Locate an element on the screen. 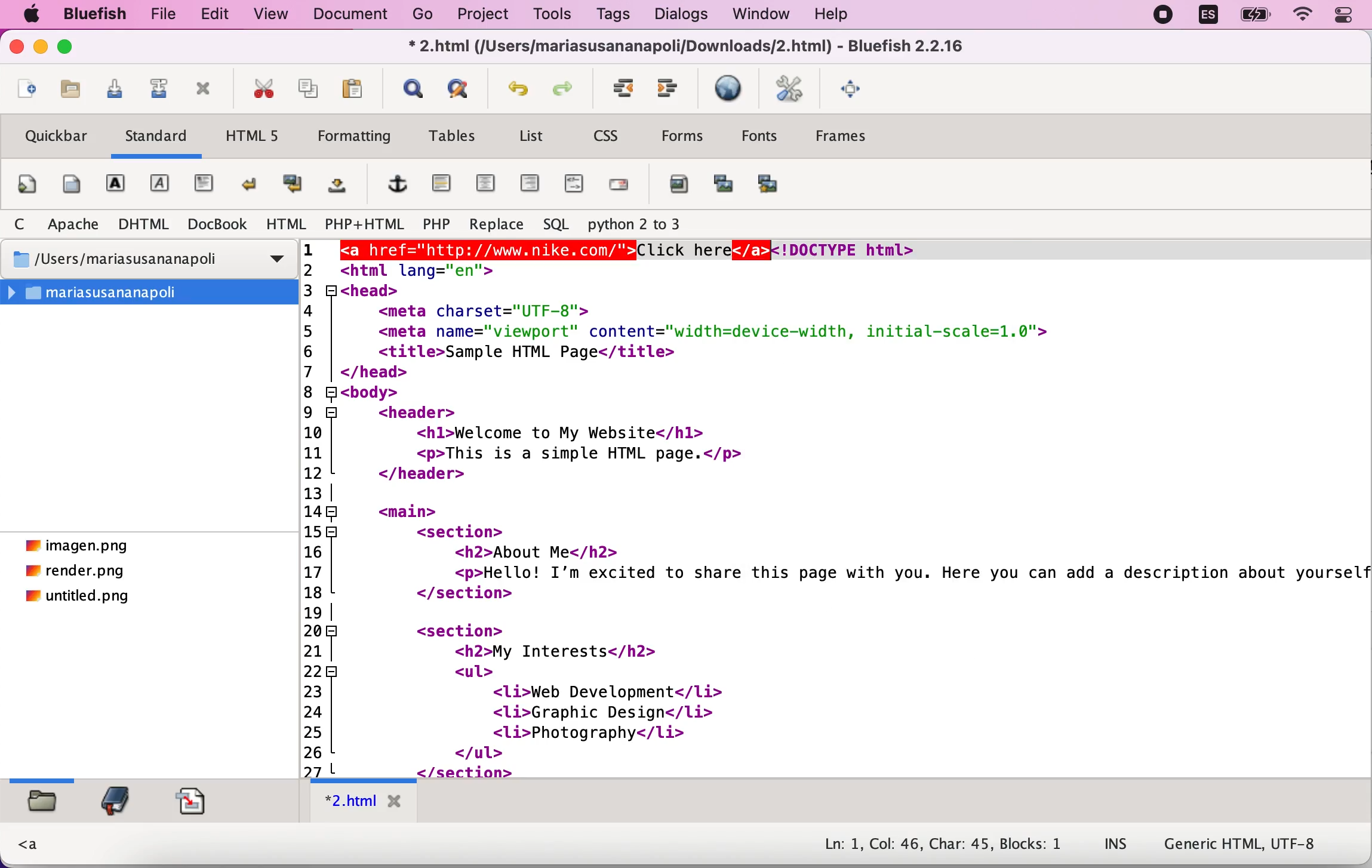 The height and width of the screenshot is (868, 1372). open file is located at coordinates (72, 90).